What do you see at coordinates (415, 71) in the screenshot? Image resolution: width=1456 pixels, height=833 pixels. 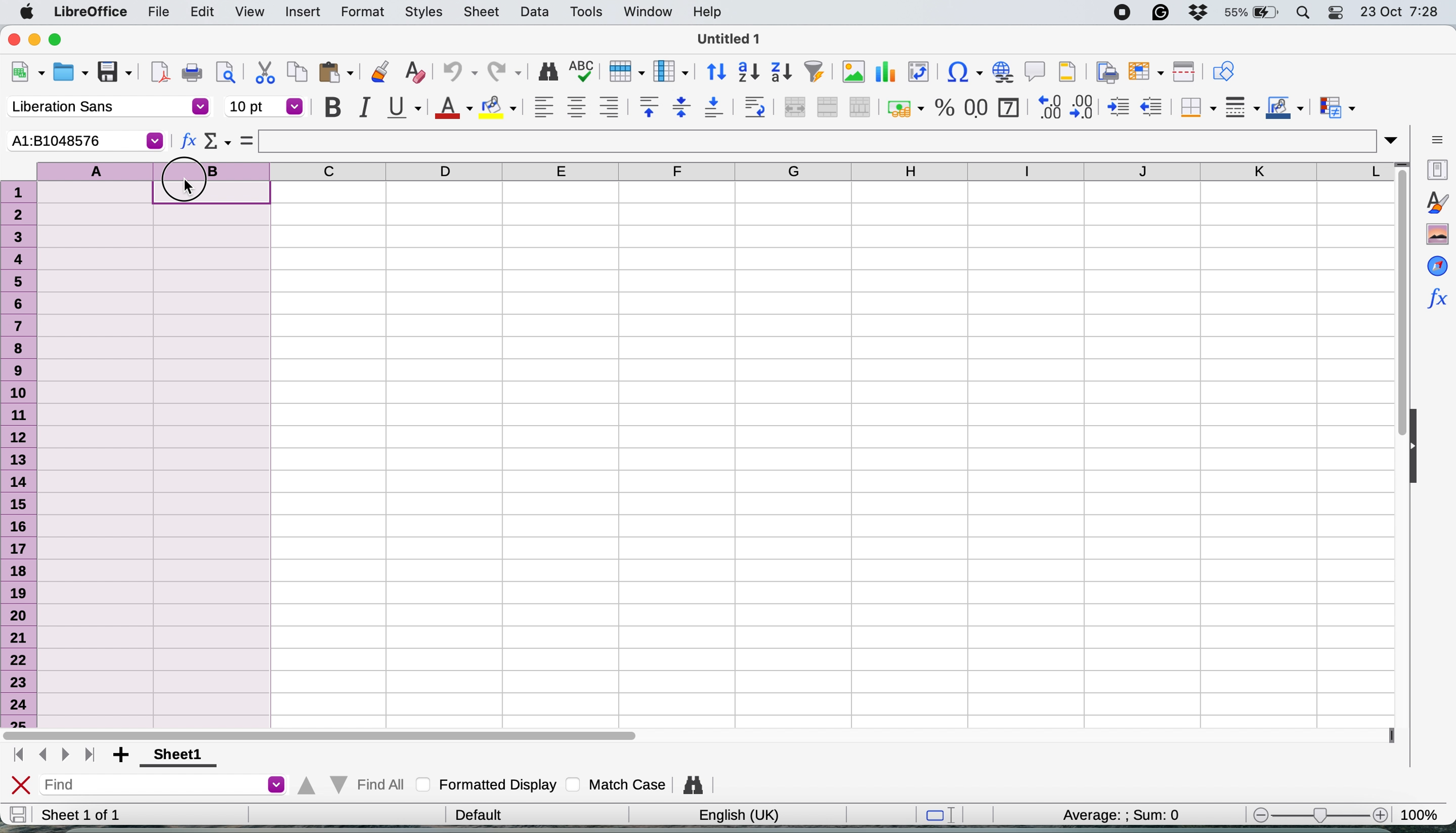 I see `clear direct formatting` at bounding box center [415, 71].